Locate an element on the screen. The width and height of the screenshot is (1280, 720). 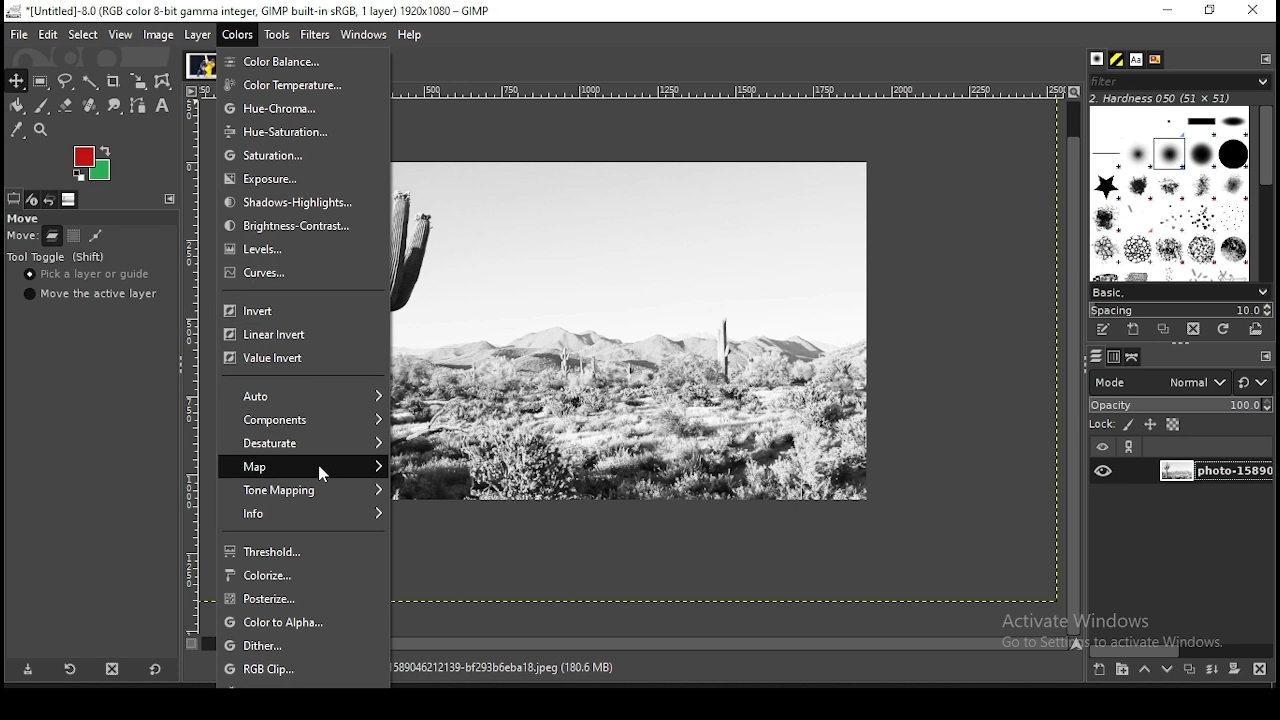
image is located at coordinates (159, 35).